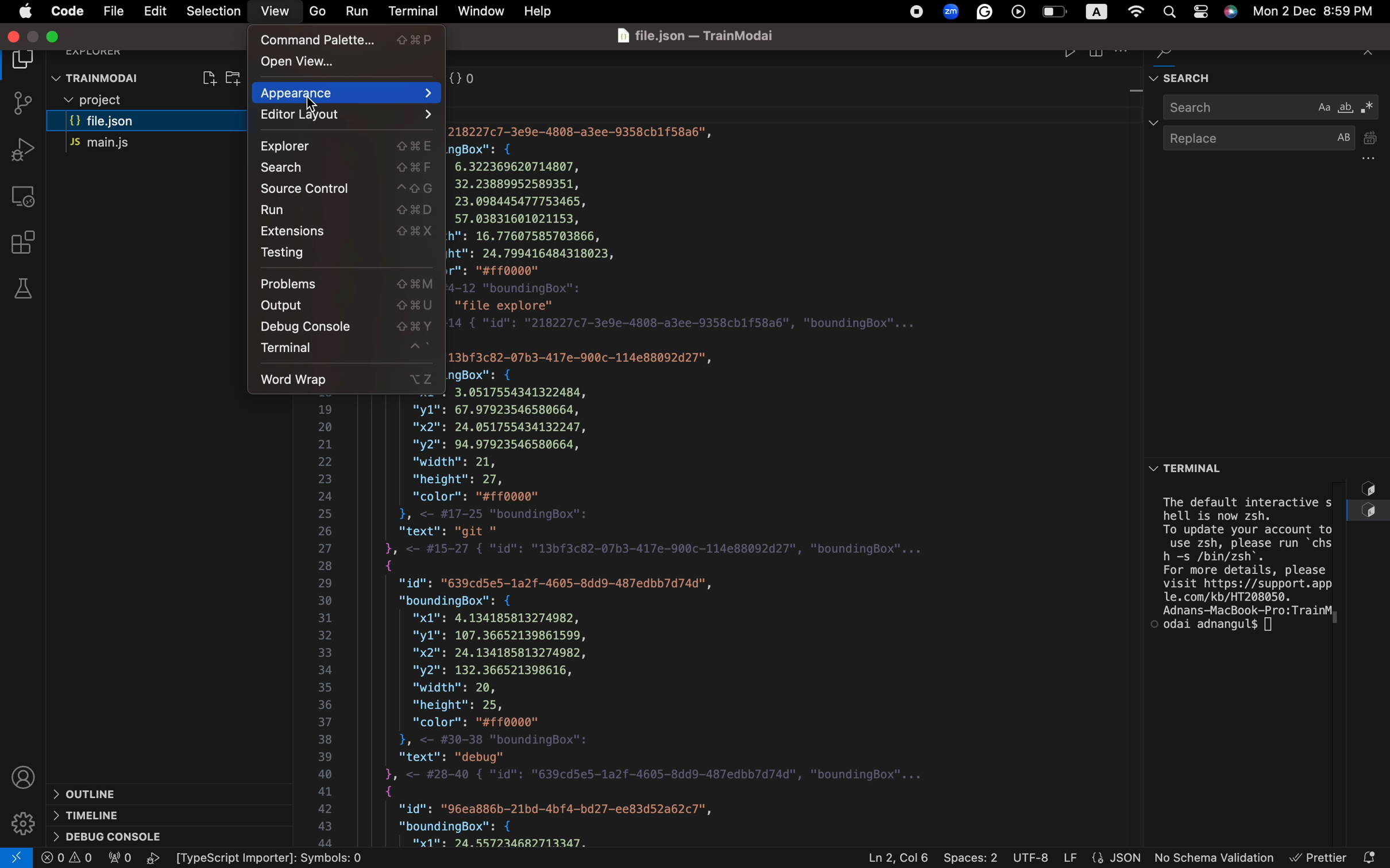 The width and height of the screenshot is (1390, 868). Describe the element at coordinates (150, 100) in the screenshot. I see `files and folders` at that location.